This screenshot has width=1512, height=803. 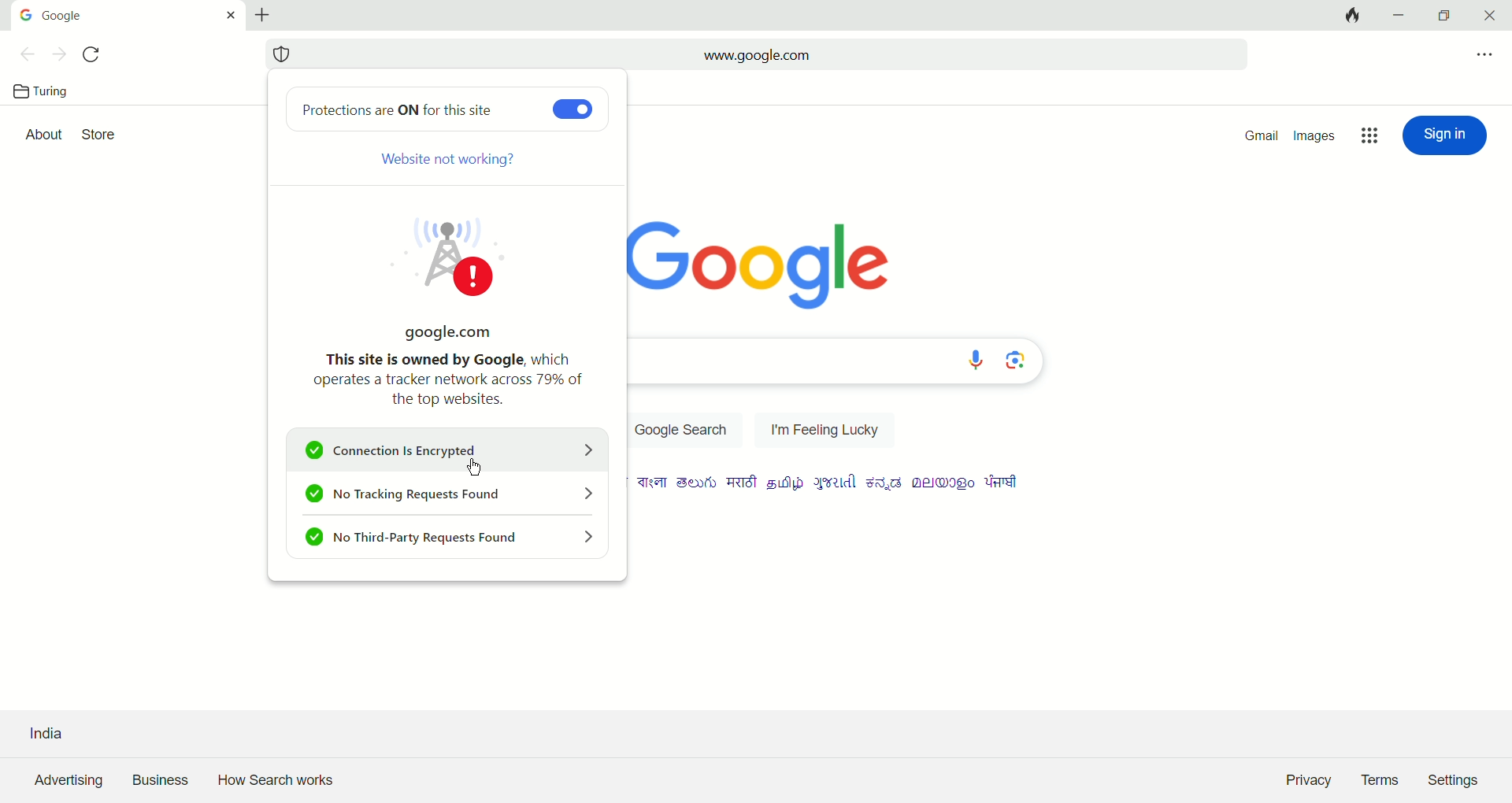 What do you see at coordinates (27, 14) in the screenshot?
I see `Google icon` at bounding box center [27, 14].